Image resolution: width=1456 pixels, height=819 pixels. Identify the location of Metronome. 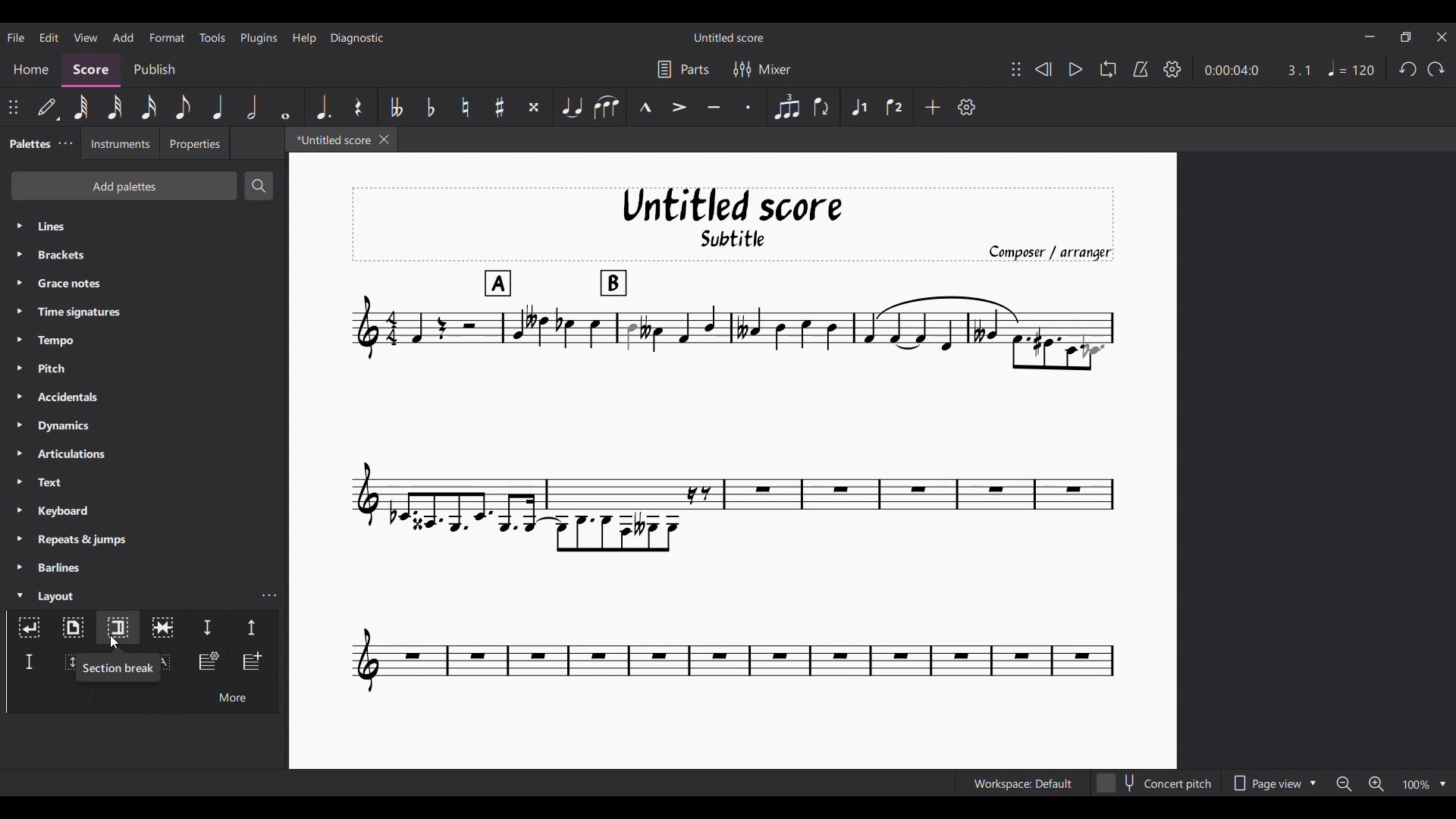
(1141, 69).